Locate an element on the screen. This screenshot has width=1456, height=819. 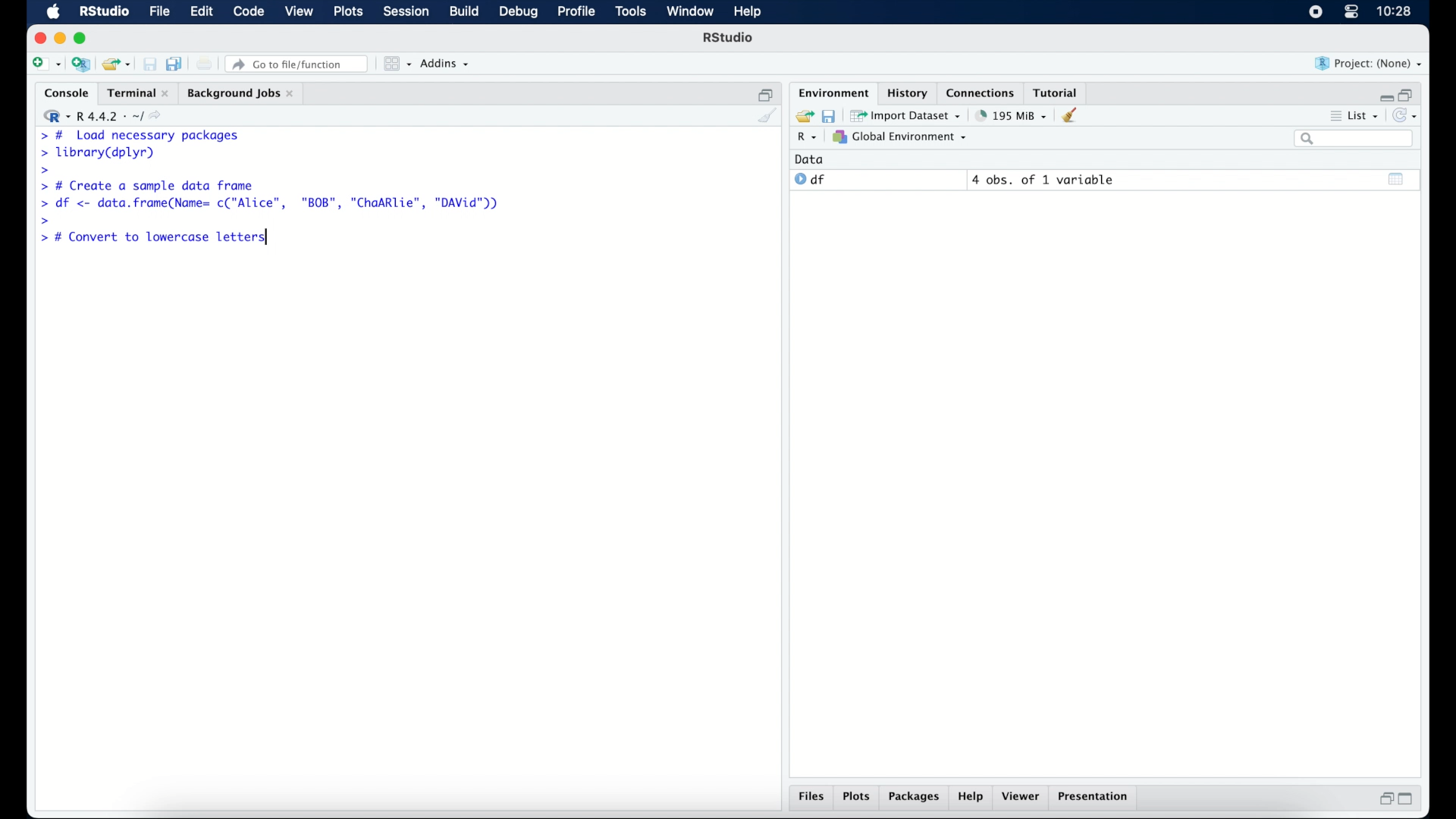
clear workspace is located at coordinates (1075, 116).